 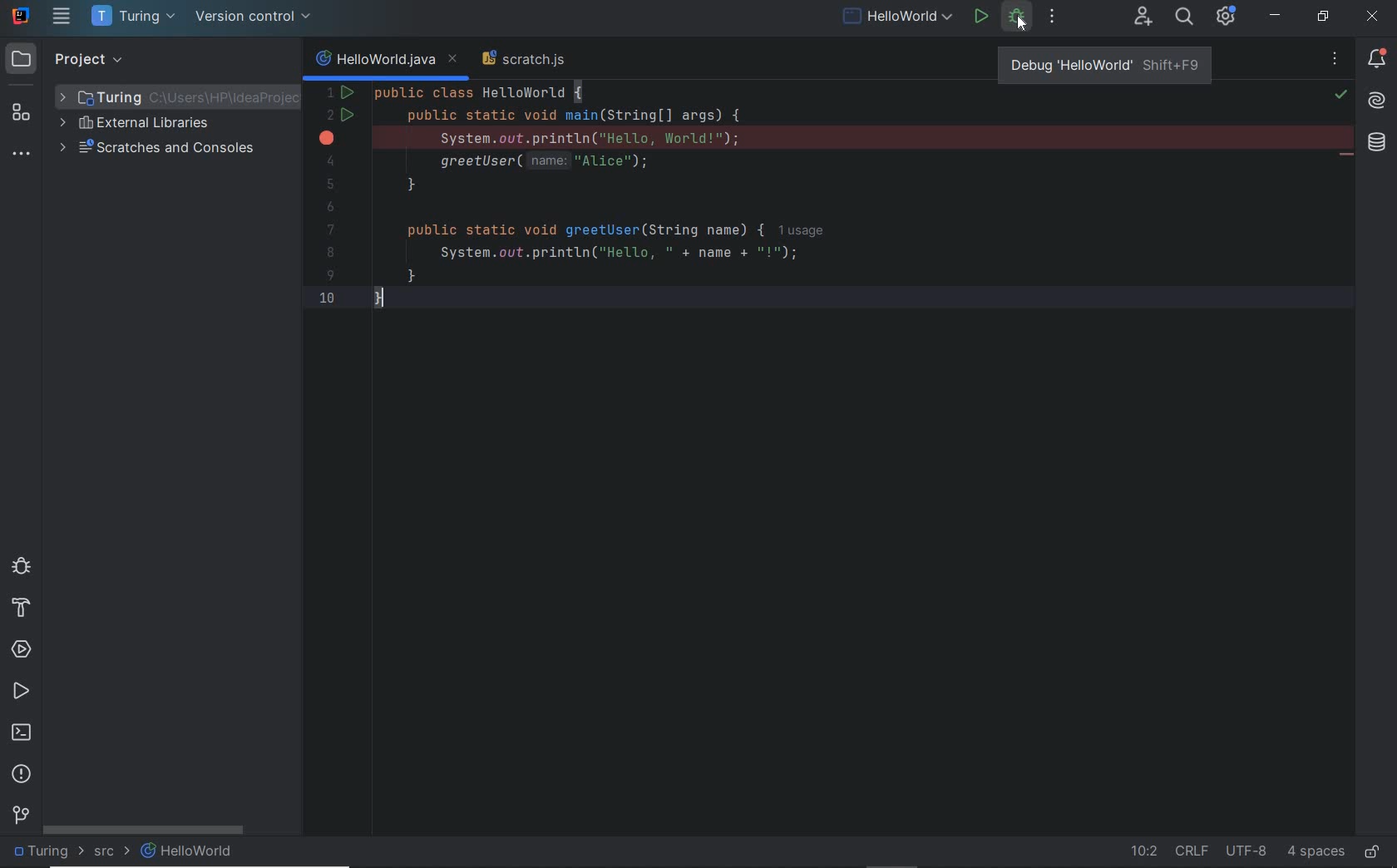 What do you see at coordinates (22, 693) in the screenshot?
I see `run` at bounding box center [22, 693].